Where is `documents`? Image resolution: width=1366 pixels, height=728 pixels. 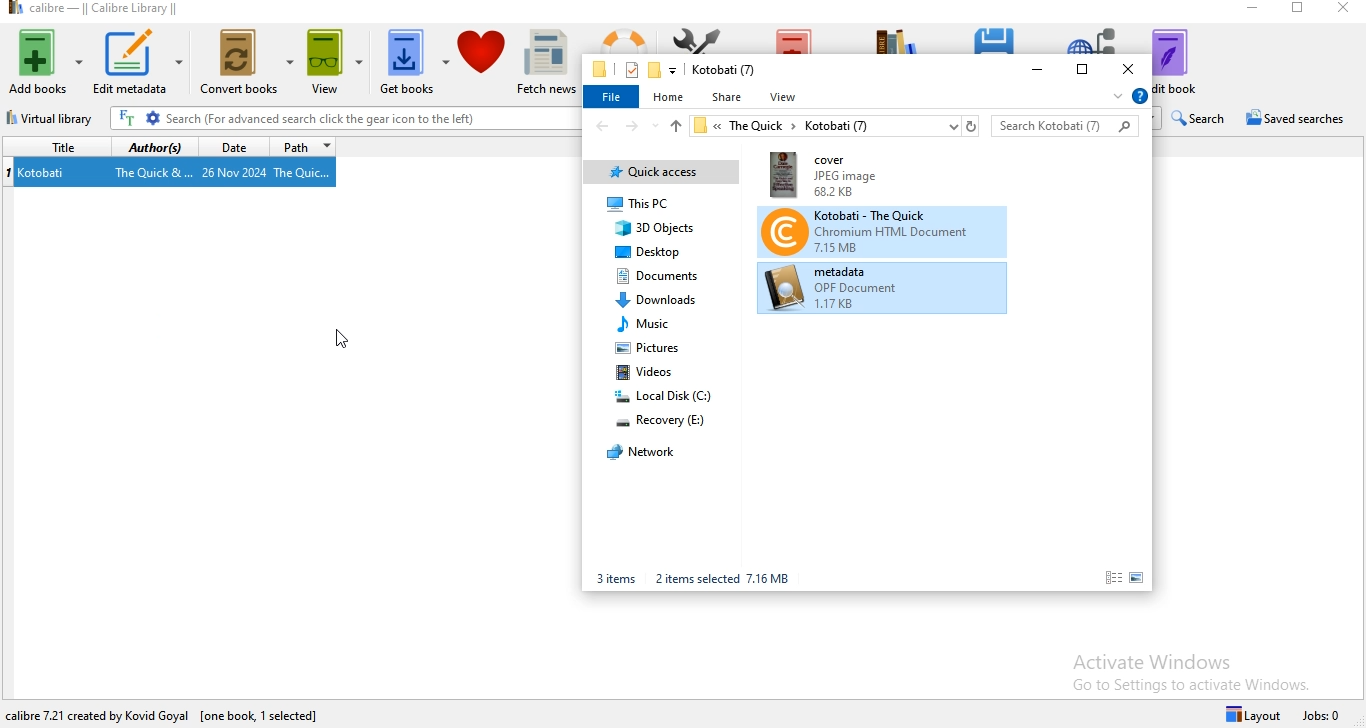
documents is located at coordinates (659, 276).